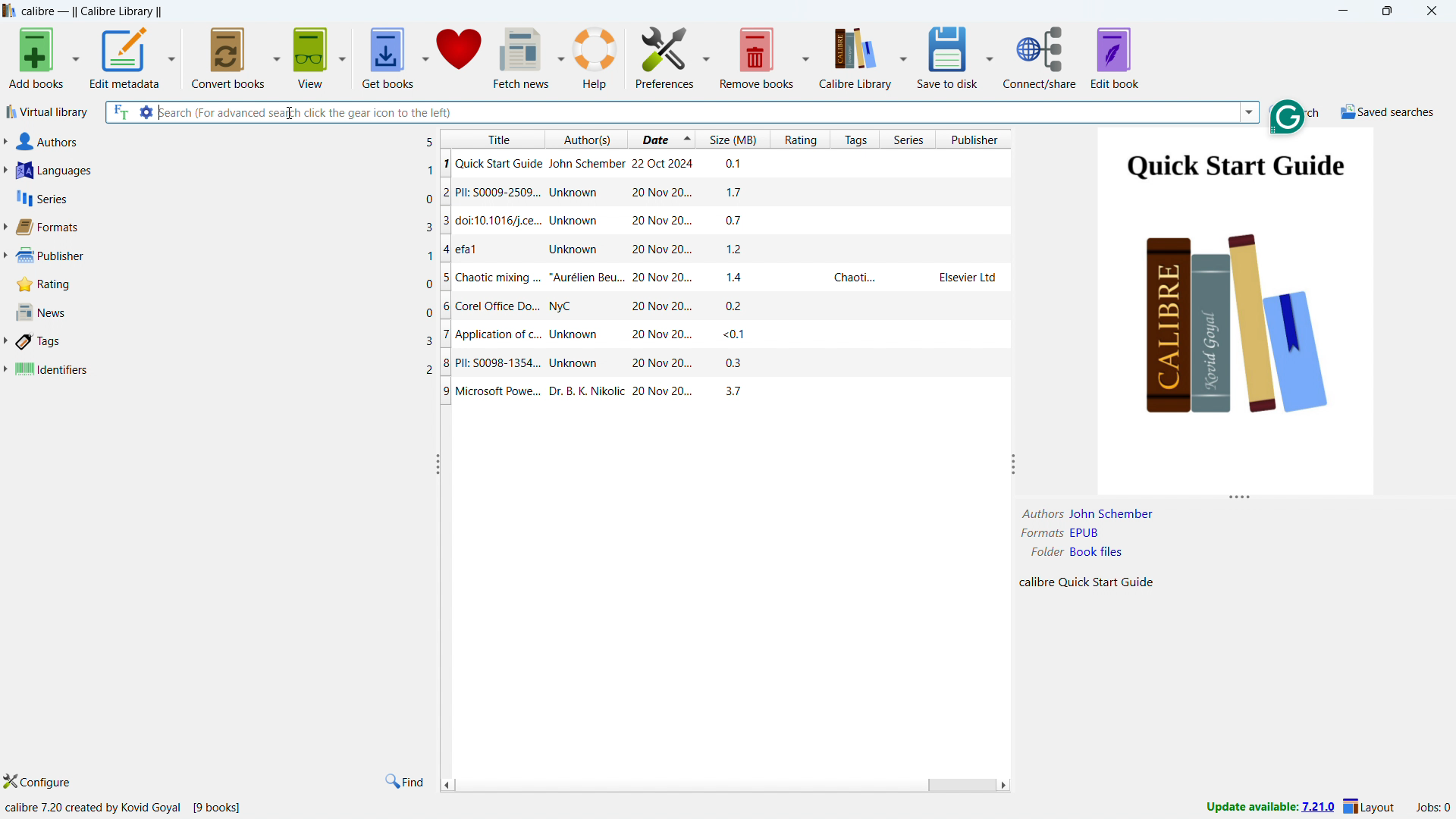  I want to click on expand authors, so click(5, 141).